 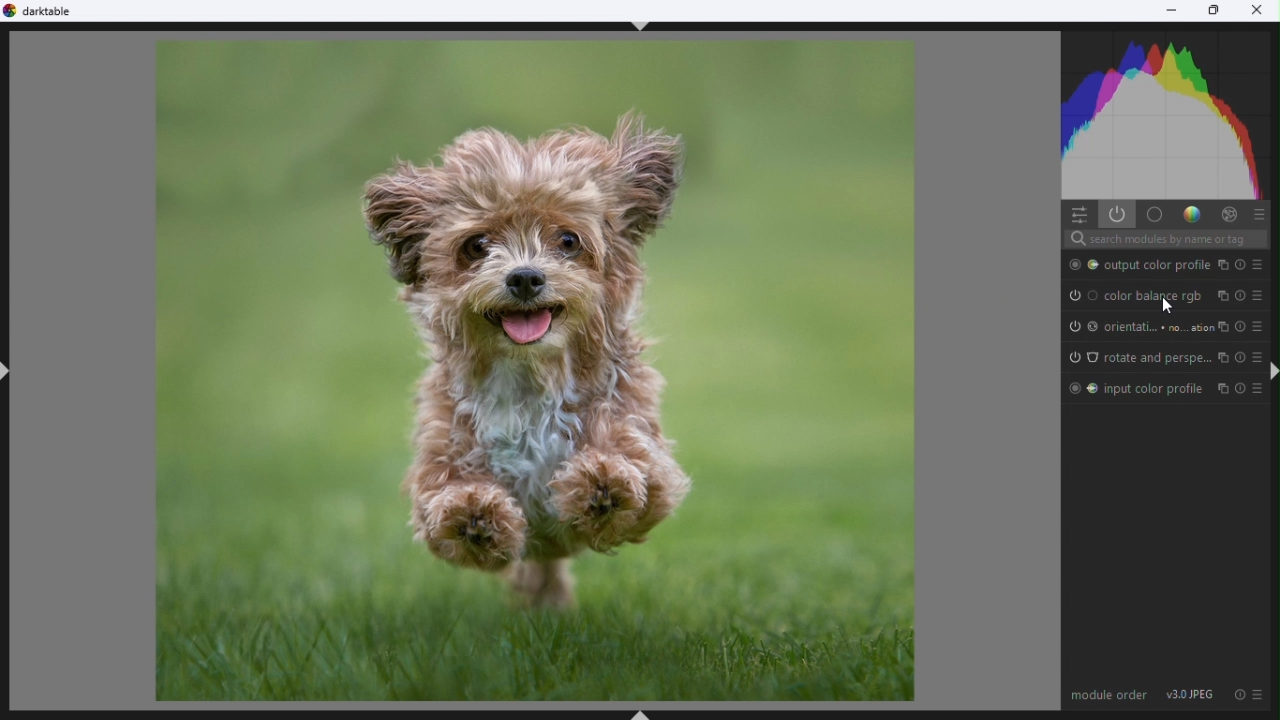 I want to click on reset, so click(x=1240, y=696).